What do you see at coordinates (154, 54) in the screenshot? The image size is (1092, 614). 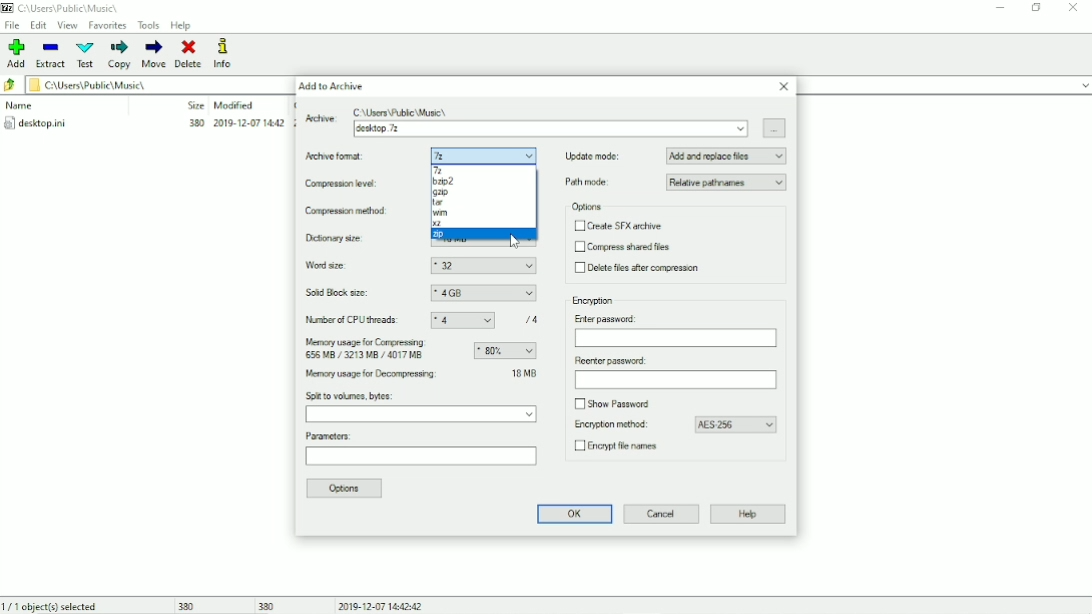 I see `Move` at bounding box center [154, 54].